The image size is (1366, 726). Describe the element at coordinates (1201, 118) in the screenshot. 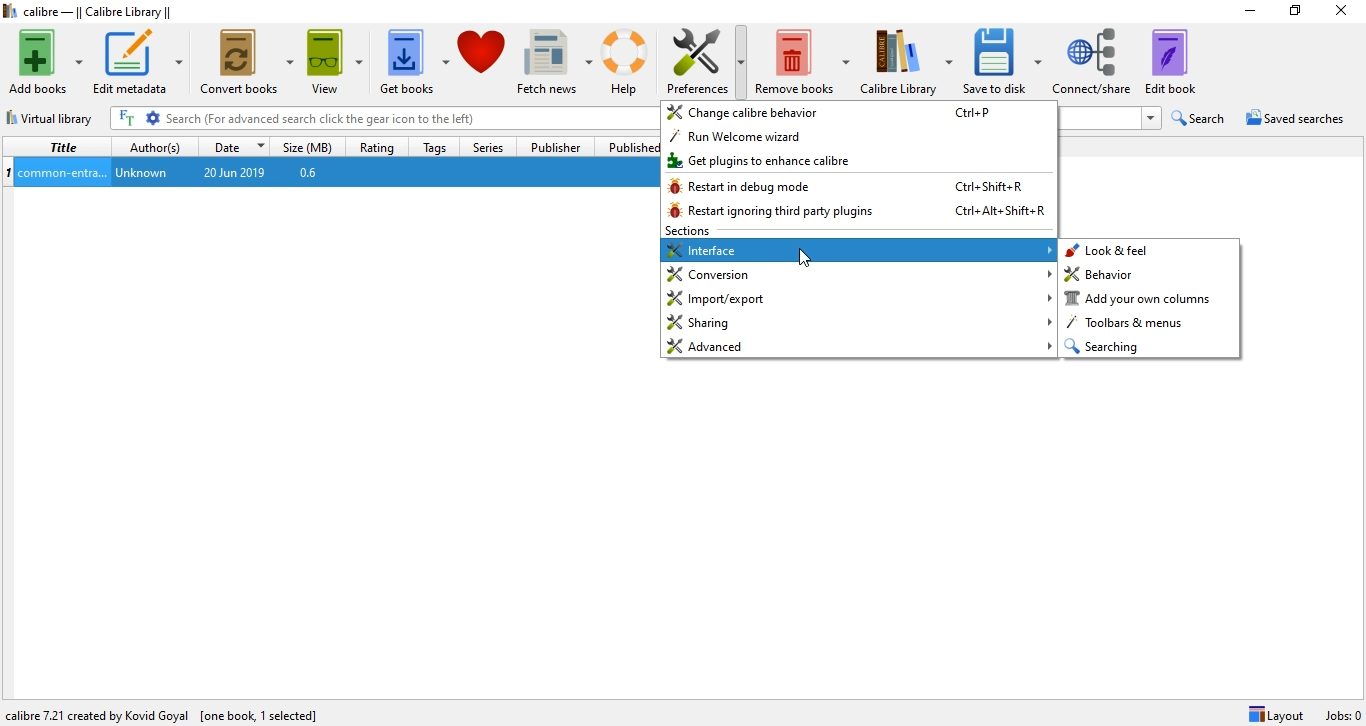

I see `Search` at that location.